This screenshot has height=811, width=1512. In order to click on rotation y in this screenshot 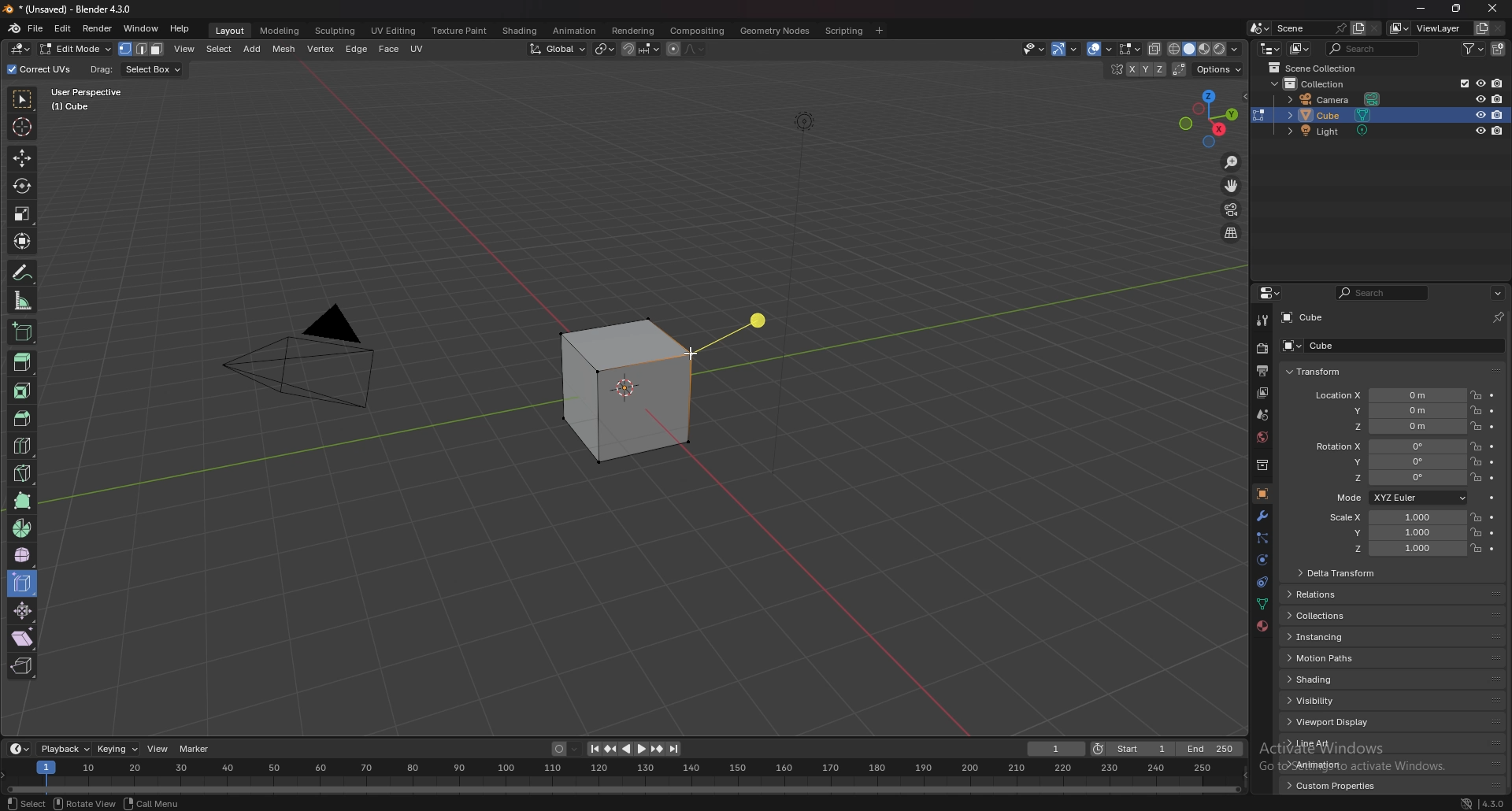, I will do `click(1392, 463)`.